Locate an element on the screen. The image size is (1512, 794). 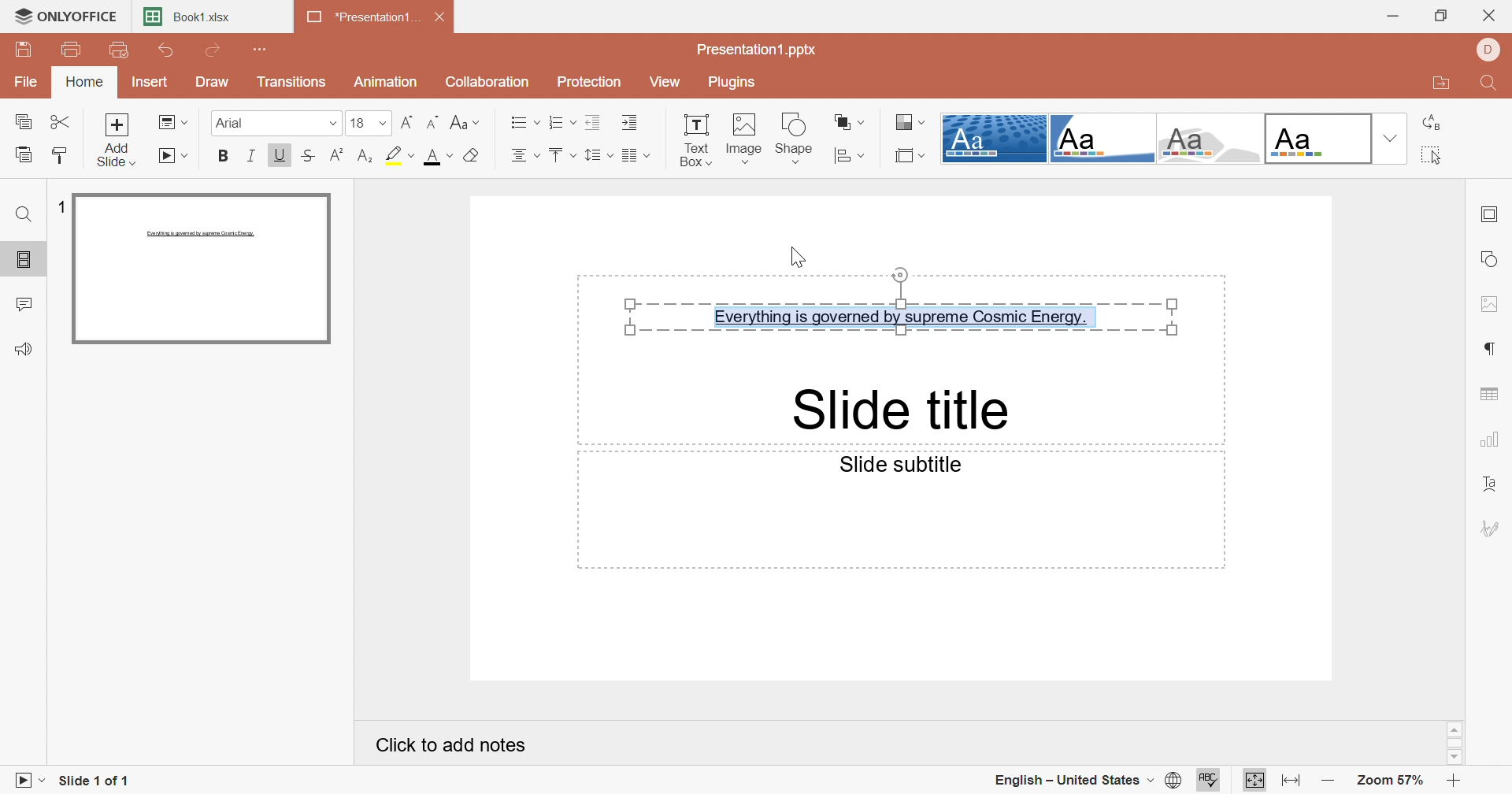
Align top is located at coordinates (563, 154).